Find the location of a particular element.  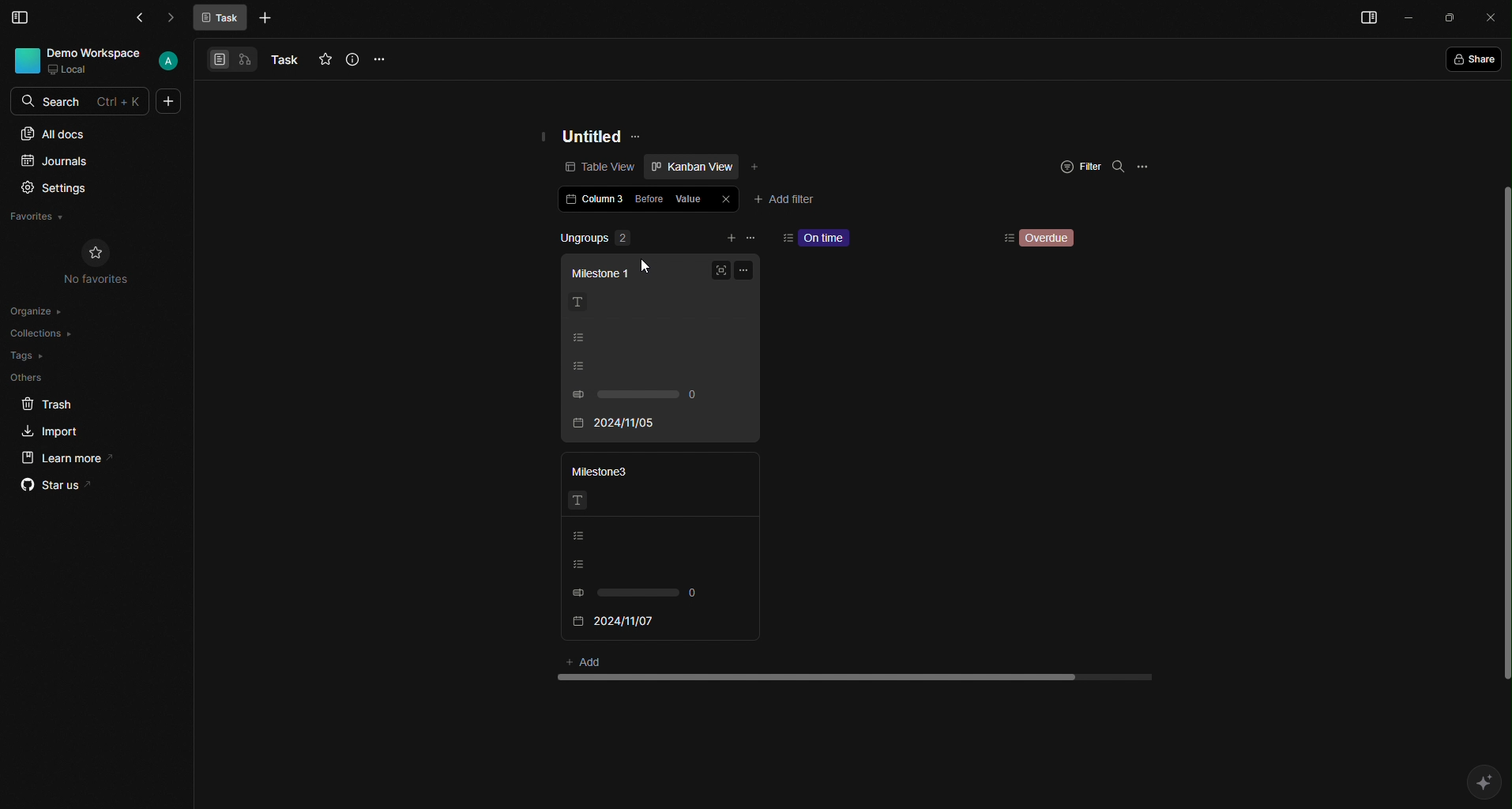

Add filter is located at coordinates (784, 197).